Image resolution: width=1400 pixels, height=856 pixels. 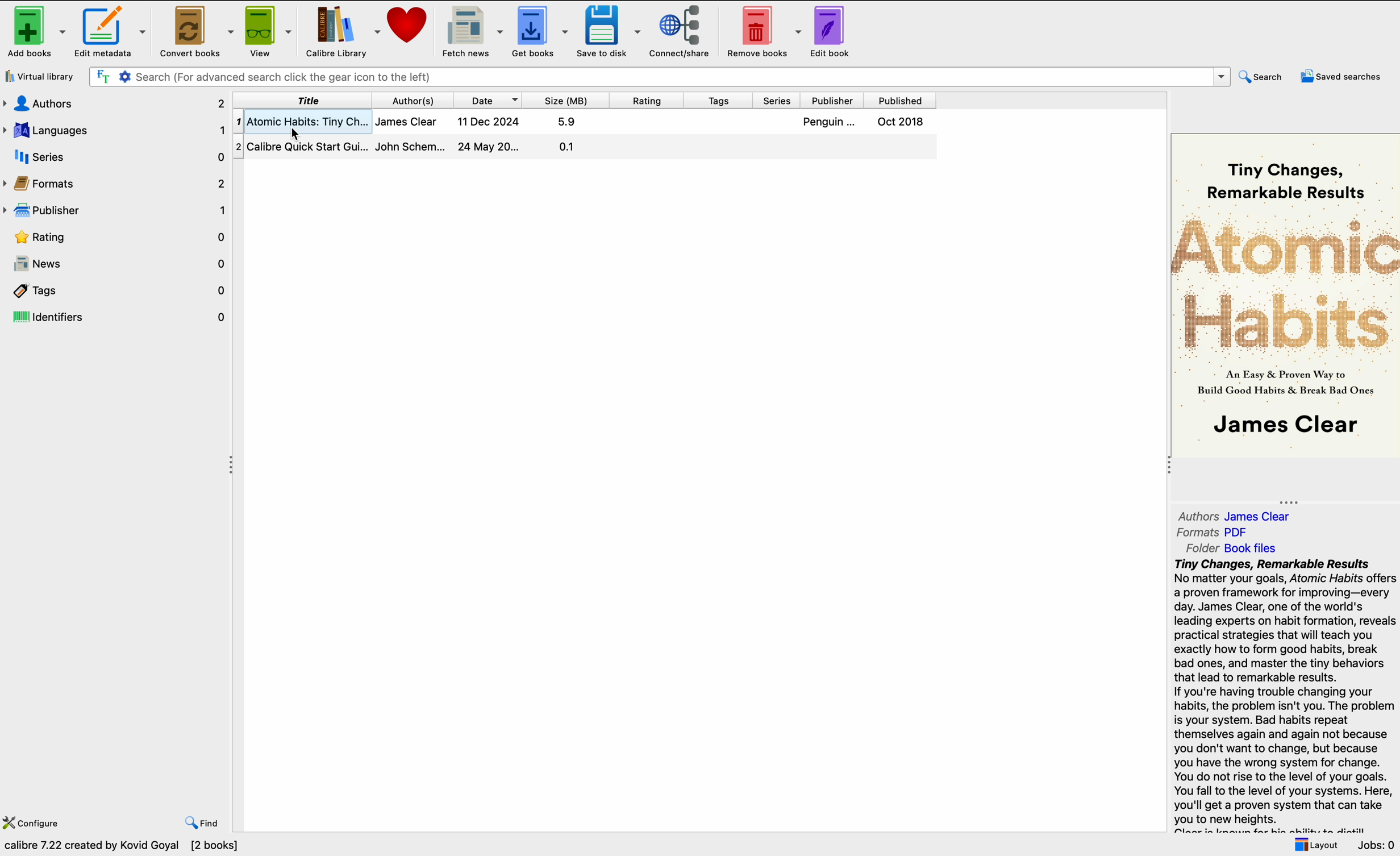 I want to click on click on the first book, so click(x=582, y=121).